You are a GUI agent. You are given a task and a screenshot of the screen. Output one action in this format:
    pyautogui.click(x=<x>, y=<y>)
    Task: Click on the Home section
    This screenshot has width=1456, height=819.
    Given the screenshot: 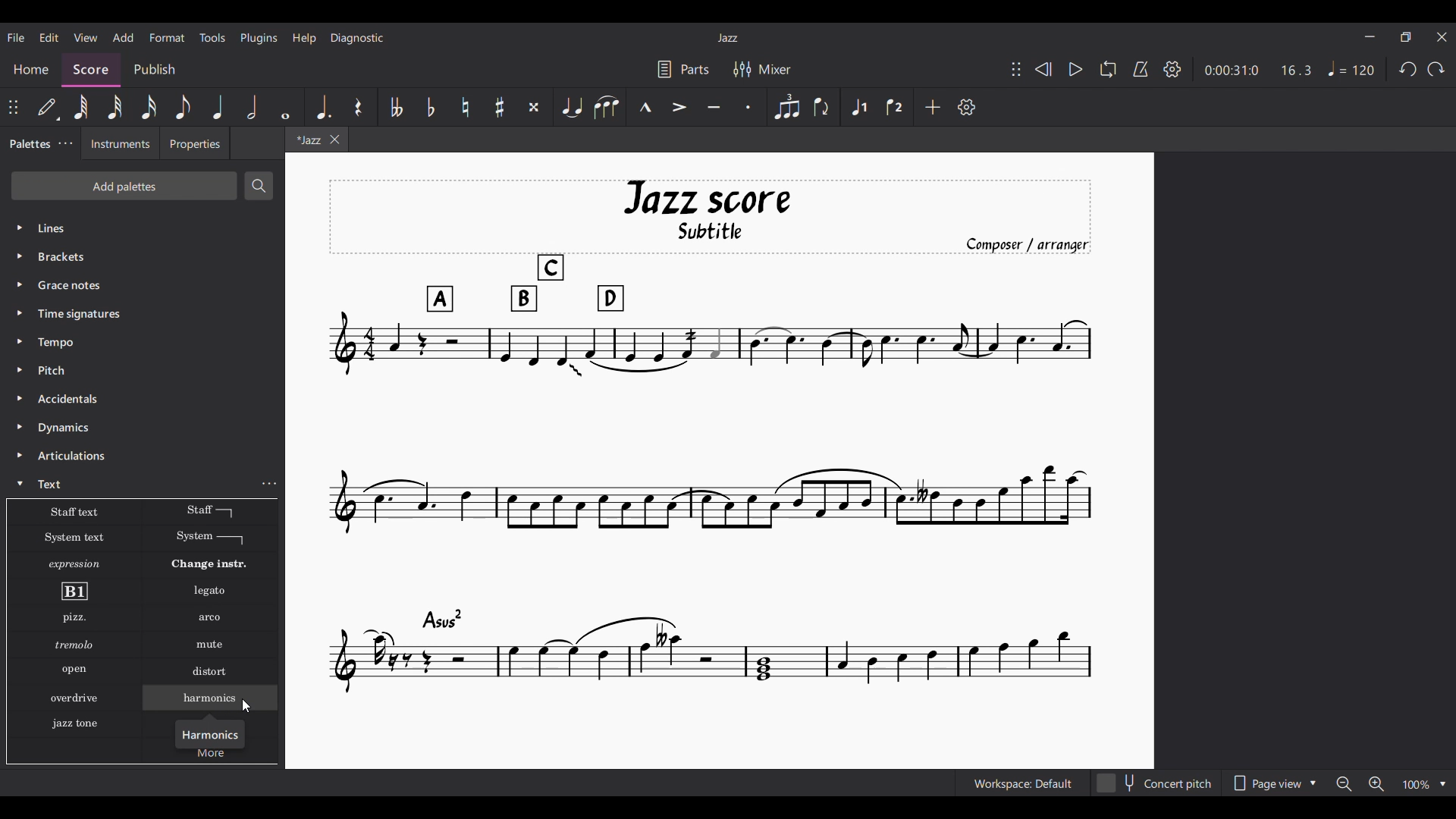 What is the action you would take?
    pyautogui.click(x=33, y=65)
    